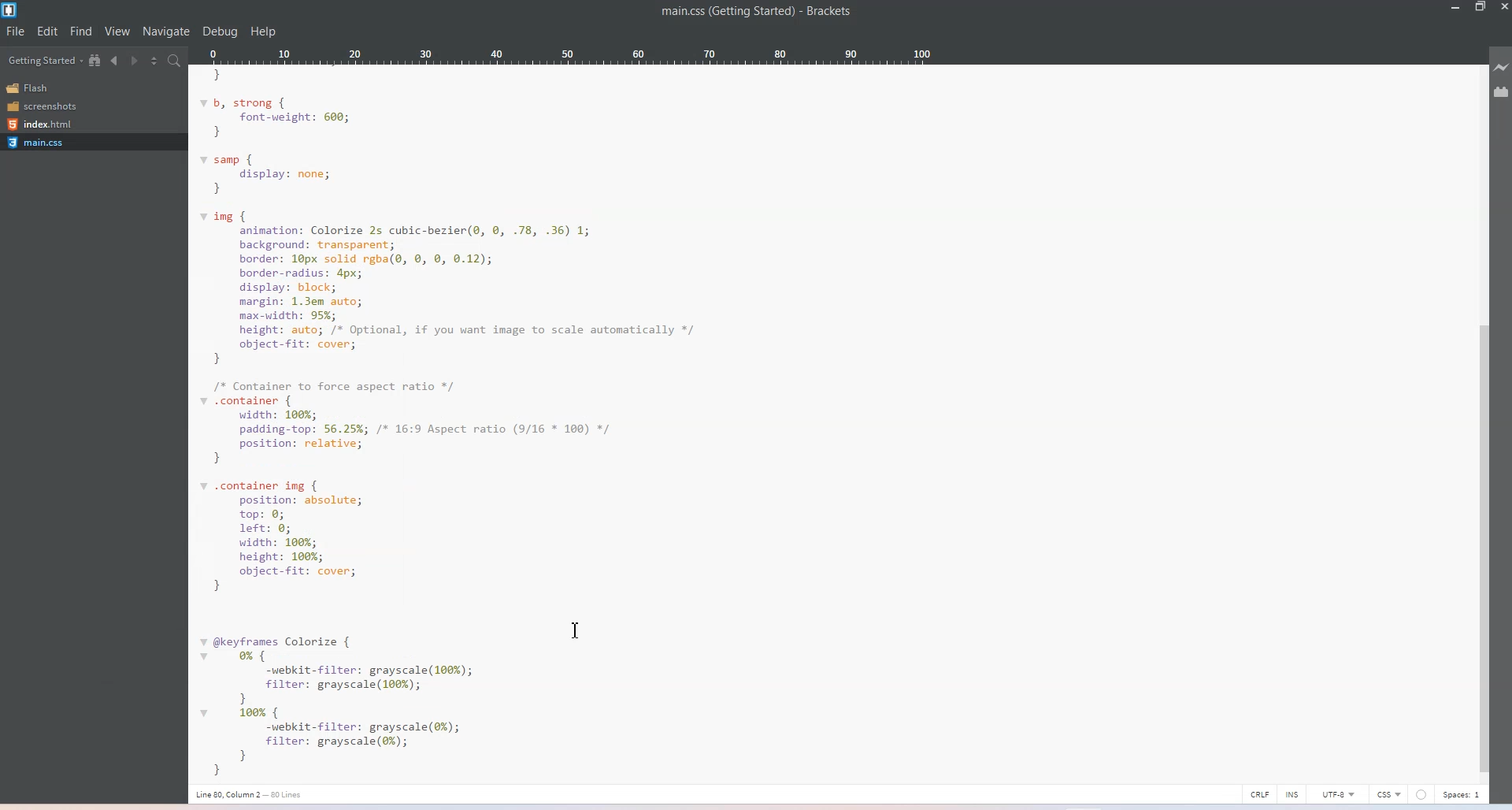 The image size is (1512, 810). What do you see at coordinates (220, 32) in the screenshot?
I see `Debug` at bounding box center [220, 32].